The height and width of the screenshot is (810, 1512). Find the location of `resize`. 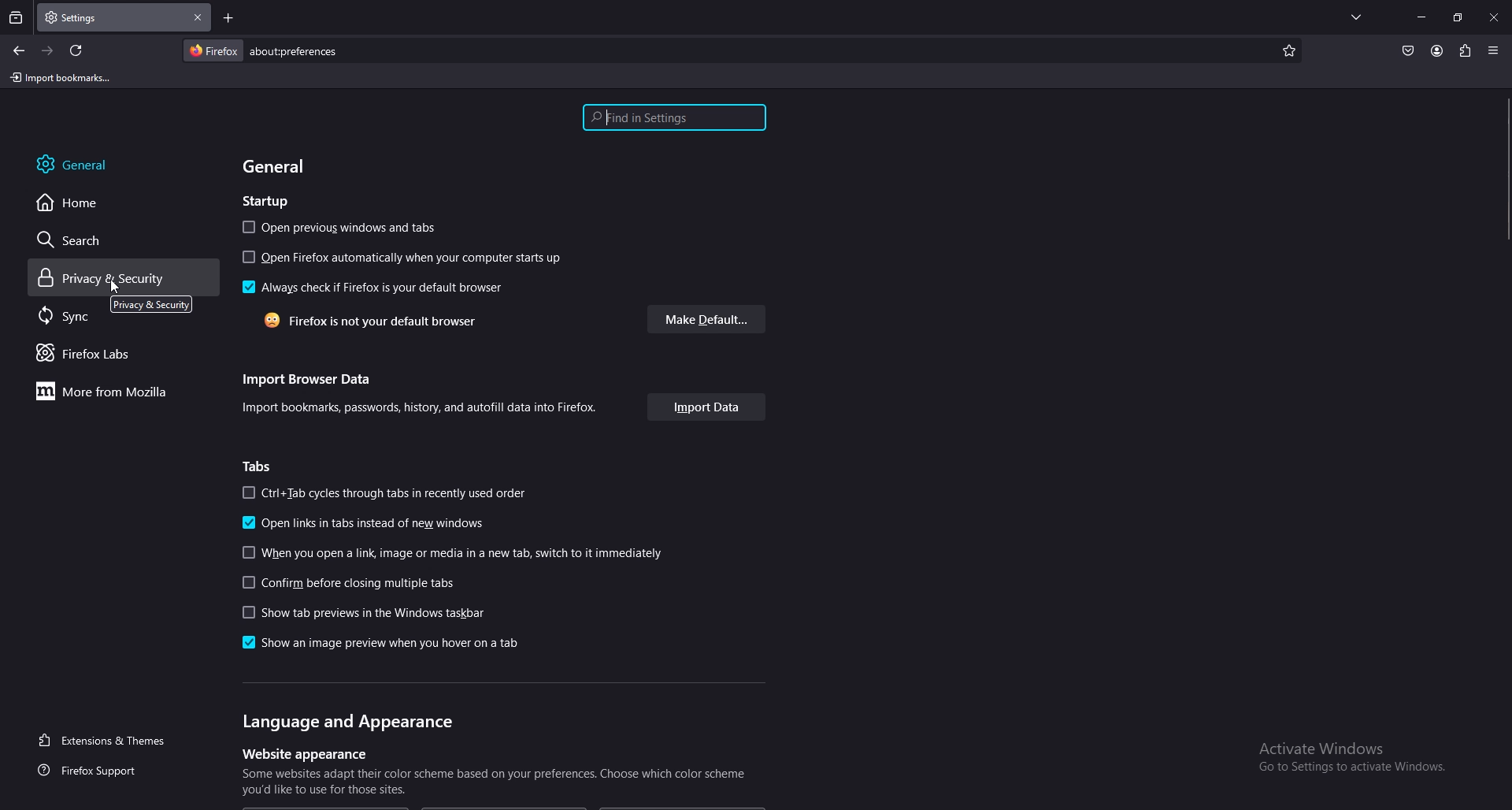

resize is located at coordinates (1457, 17).